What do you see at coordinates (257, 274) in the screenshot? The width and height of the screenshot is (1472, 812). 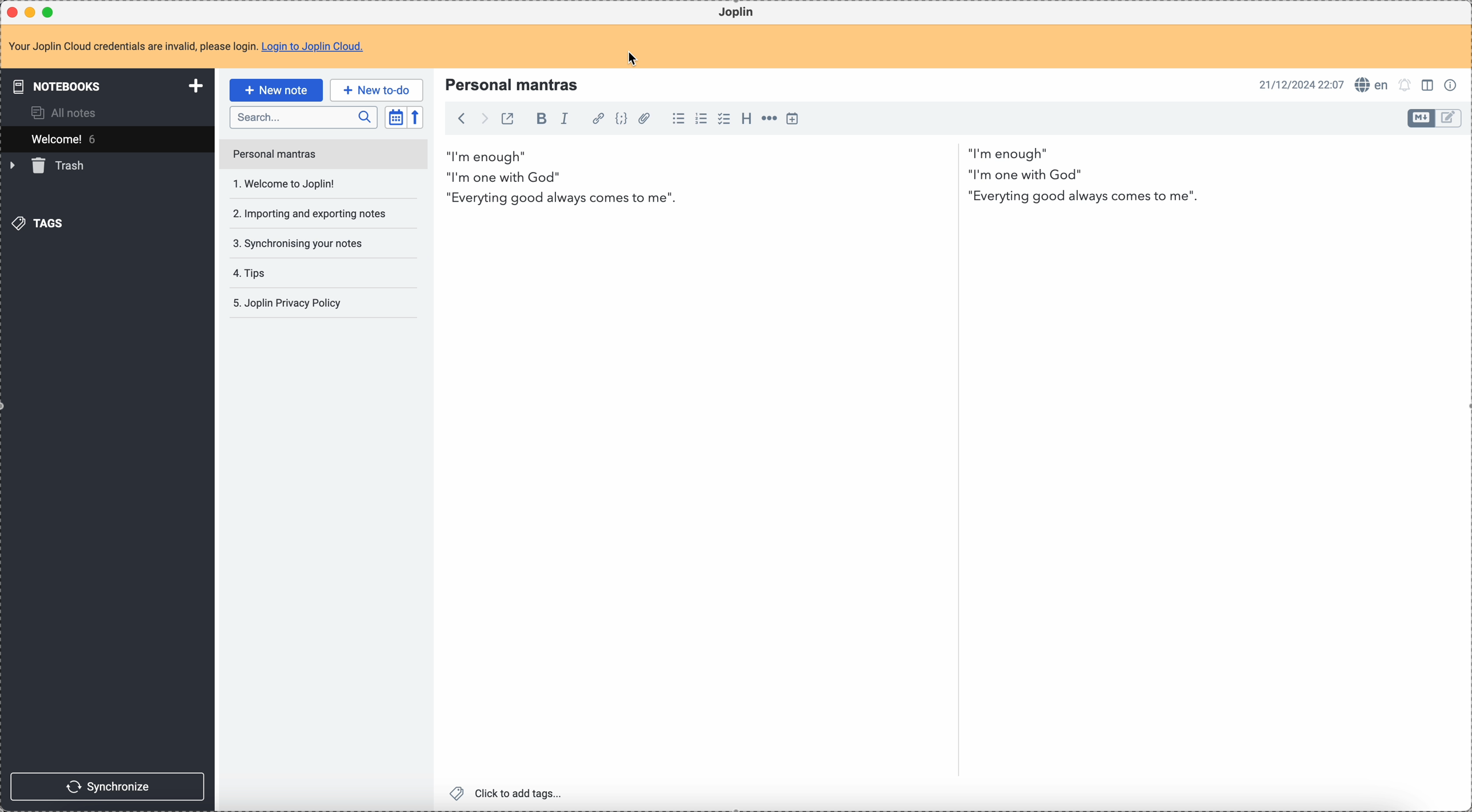 I see `tips` at bounding box center [257, 274].